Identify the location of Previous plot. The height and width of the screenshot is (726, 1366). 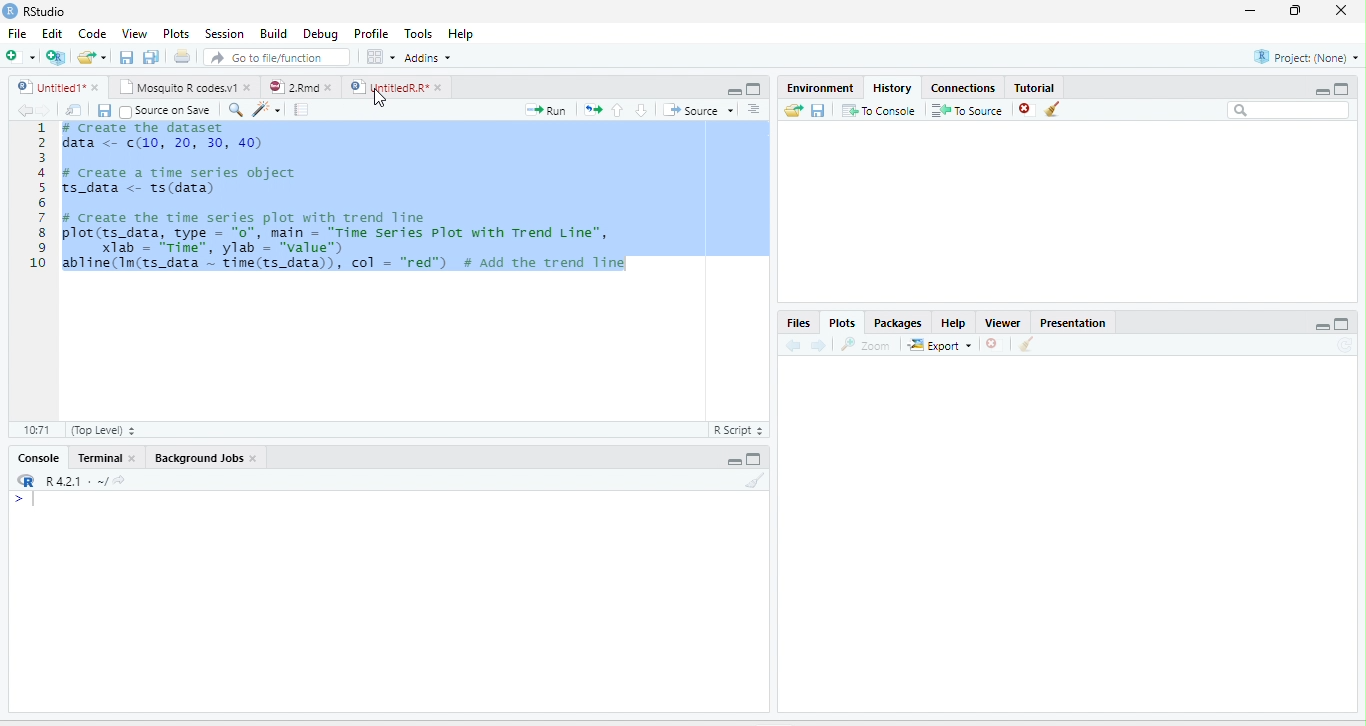
(793, 344).